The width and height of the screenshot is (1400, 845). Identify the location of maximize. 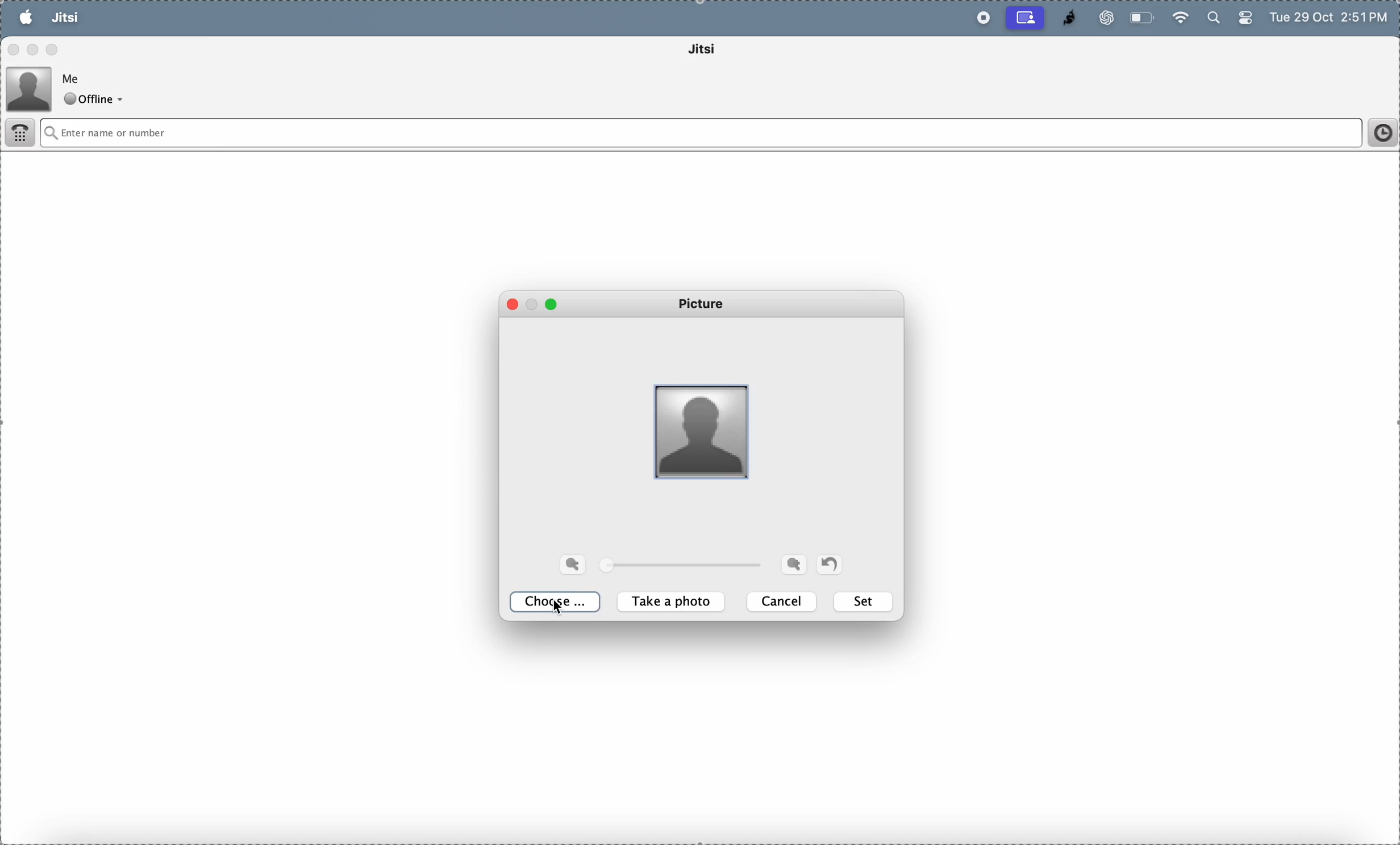
(53, 48).